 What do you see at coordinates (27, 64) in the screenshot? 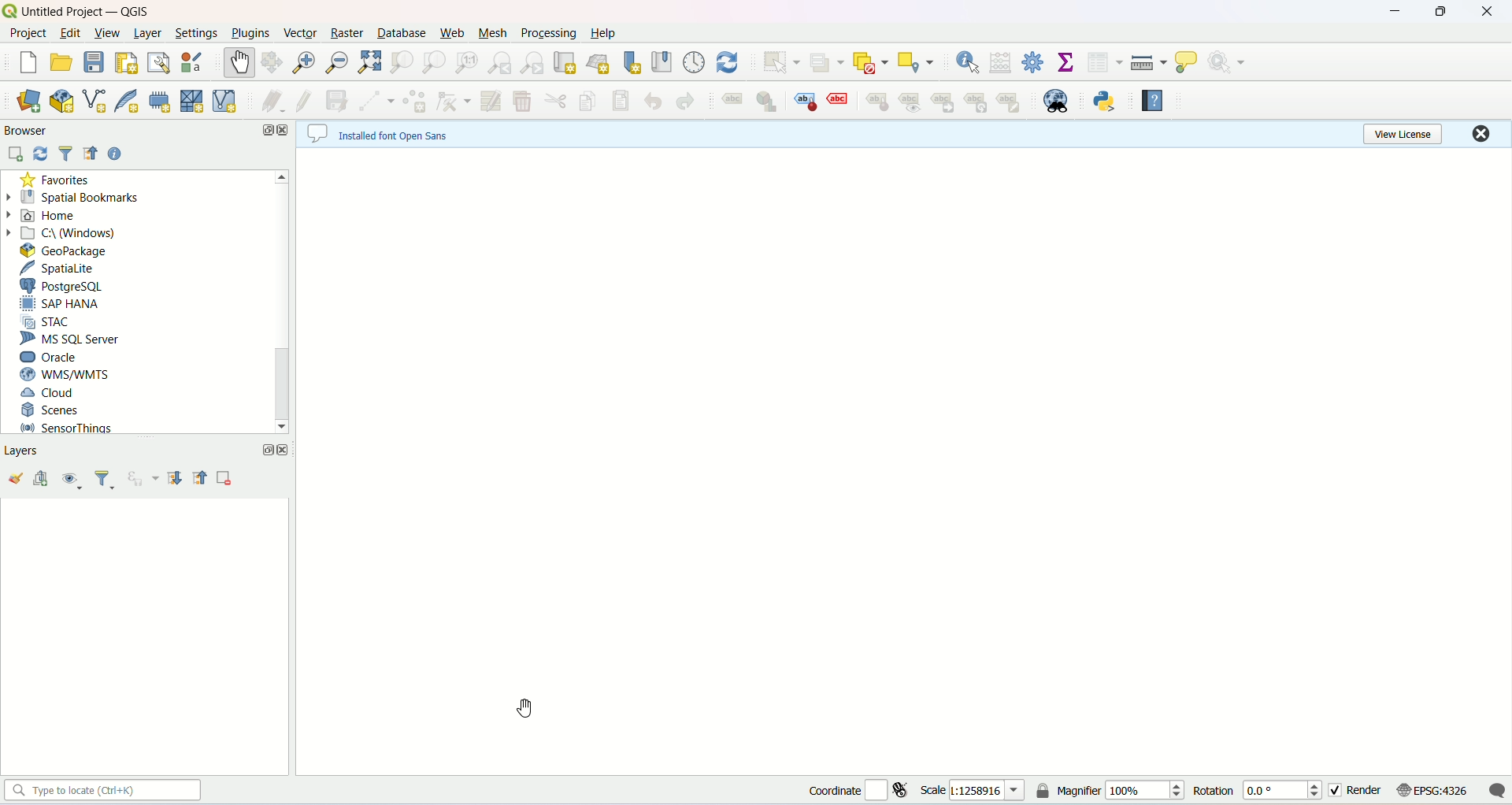
I see `new` at bounding box center [27, 64].